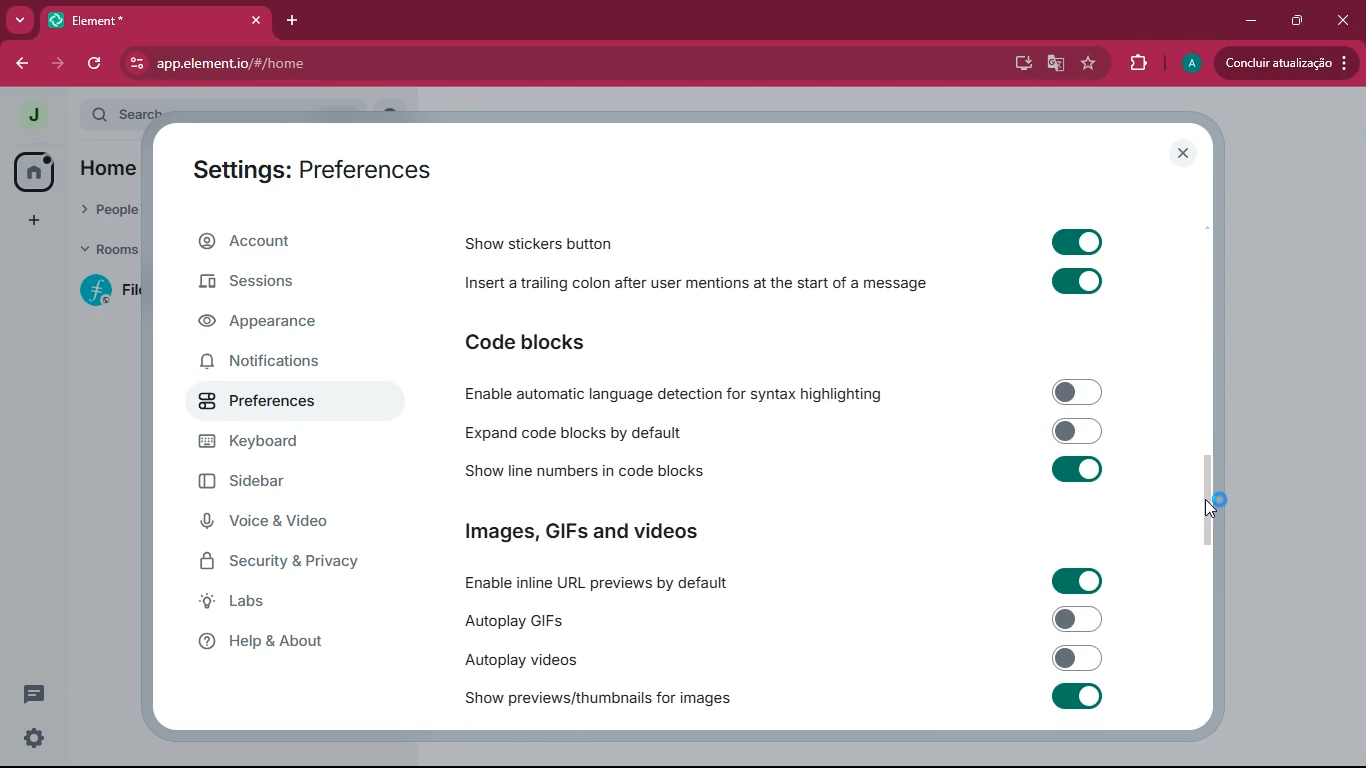 The height and width of the screenshot is (768, 1366). Describe the element at coordinates (1077, 281) in the screenshot. I see `Toggle on` at that location.